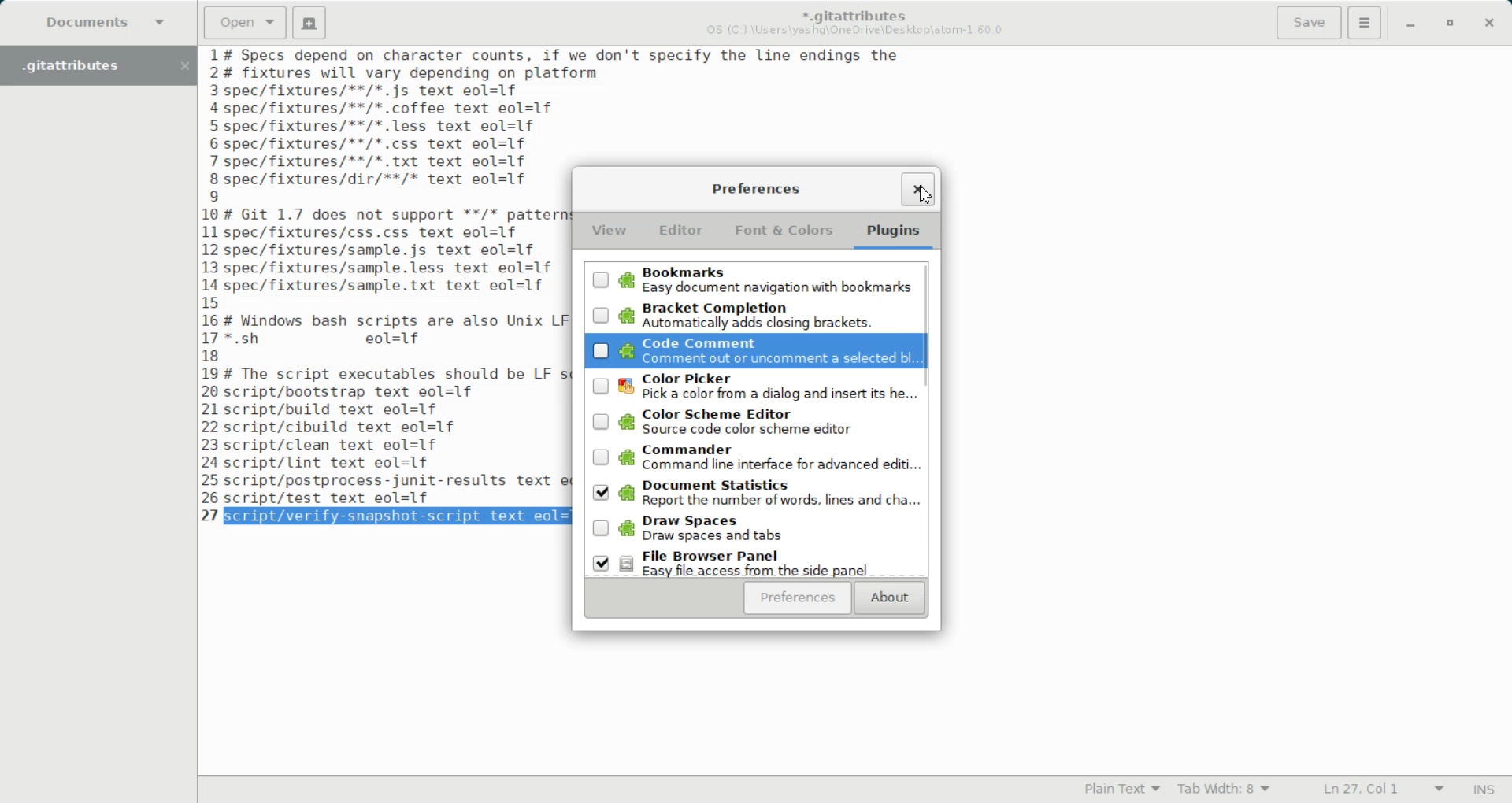 This screenshot has height=803, width=1512. Describe the element at coordinates (1118, 790) in the screenshot. I see `Plain Text` at that location.